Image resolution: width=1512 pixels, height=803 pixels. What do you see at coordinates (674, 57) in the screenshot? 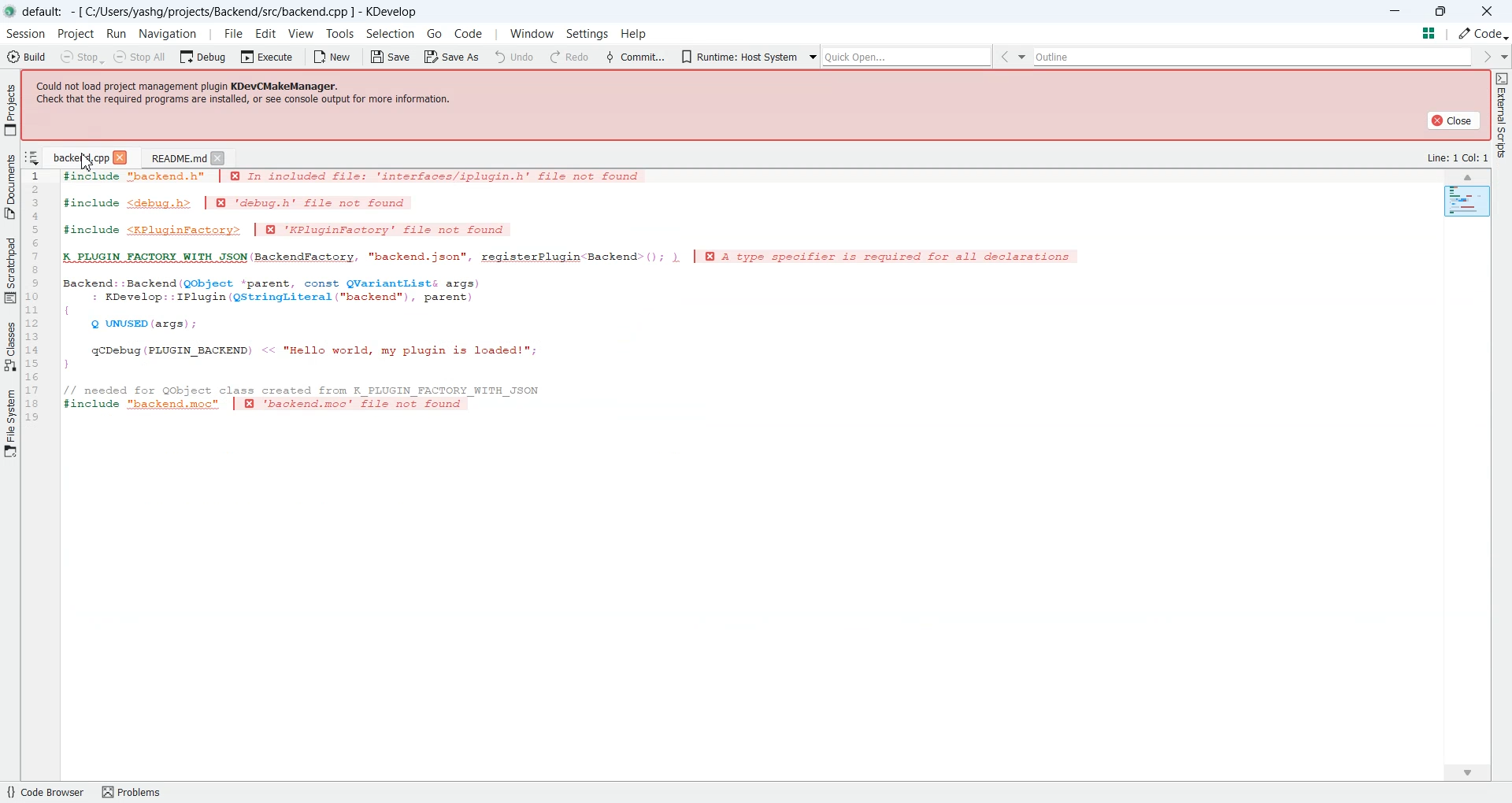
I see `Quick open ` at bounding box center [674, 57].